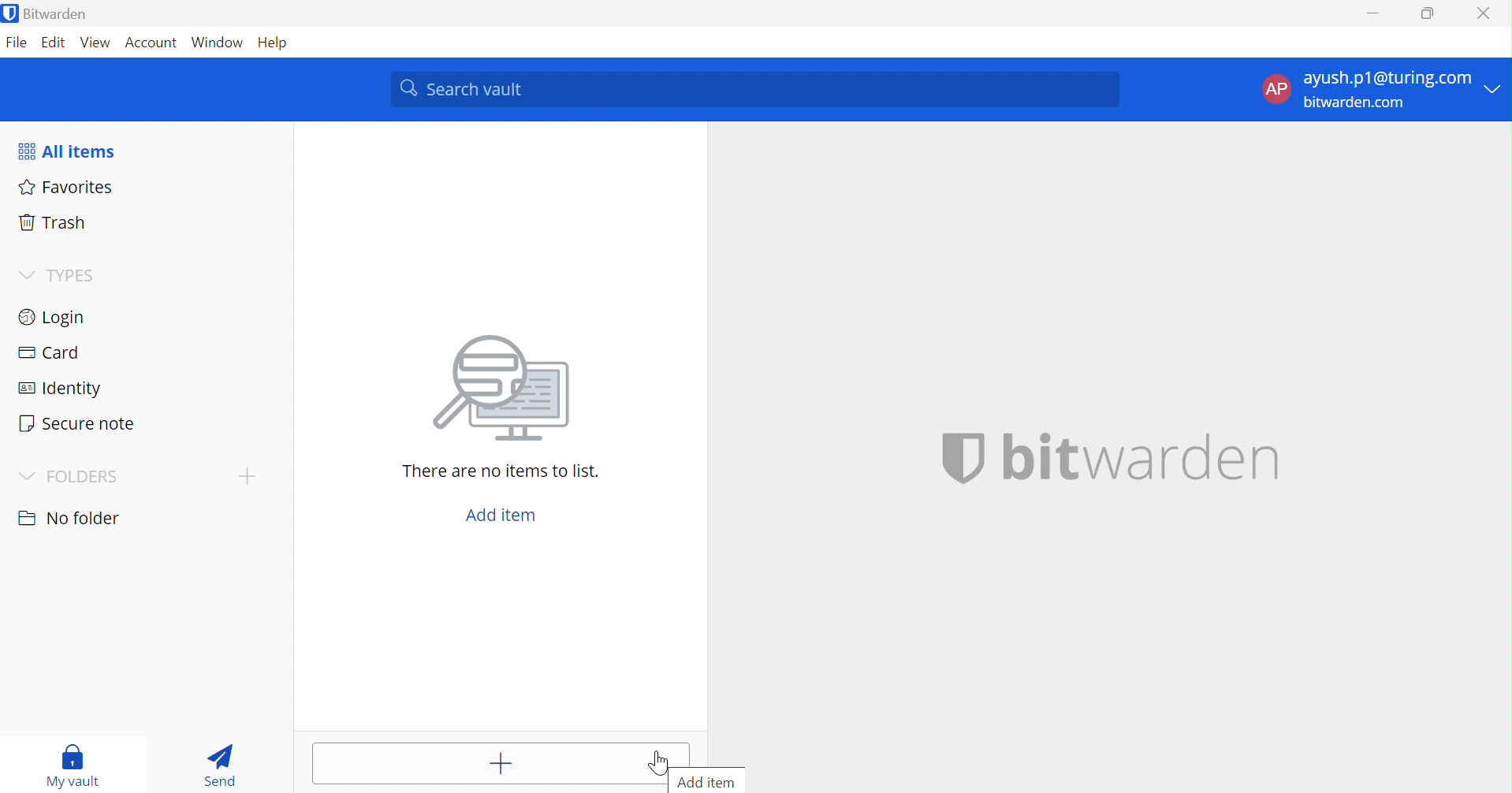 The image size is (1512, 793). I want to click on Identify, so click(59, 390).